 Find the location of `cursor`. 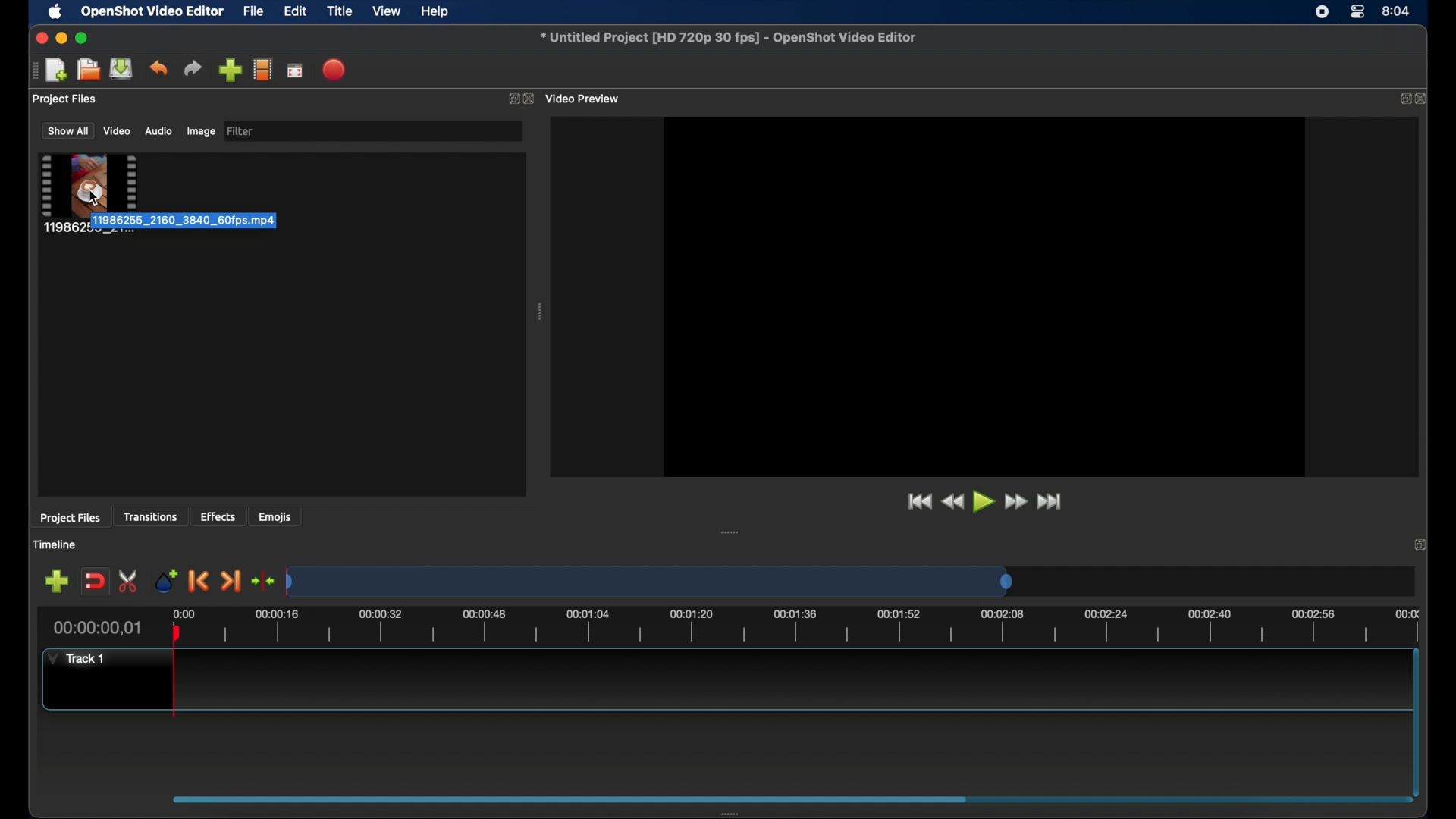

cursor is located at coordinates (96, 202).